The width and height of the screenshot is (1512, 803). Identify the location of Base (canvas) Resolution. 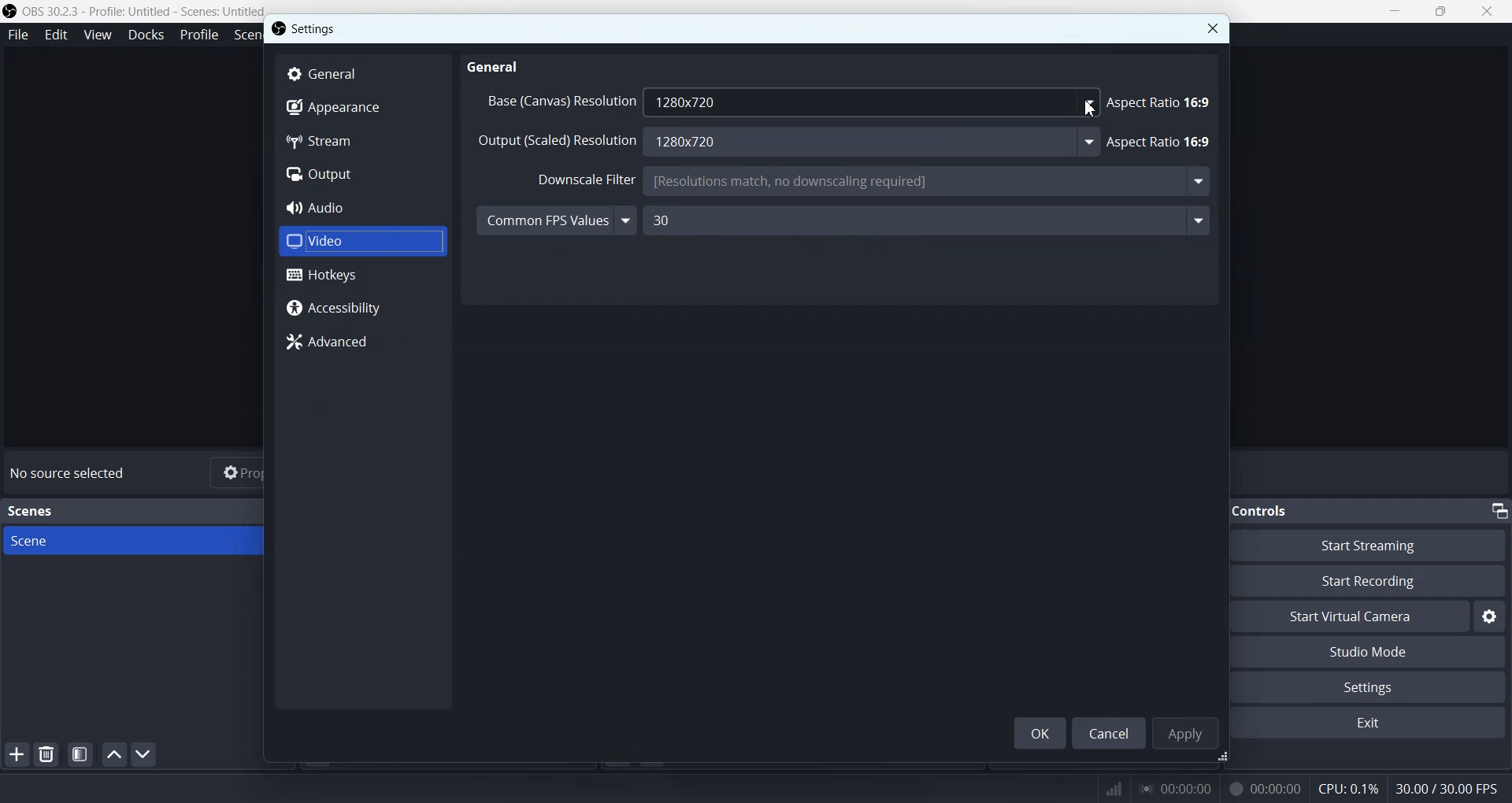
(870, 102).